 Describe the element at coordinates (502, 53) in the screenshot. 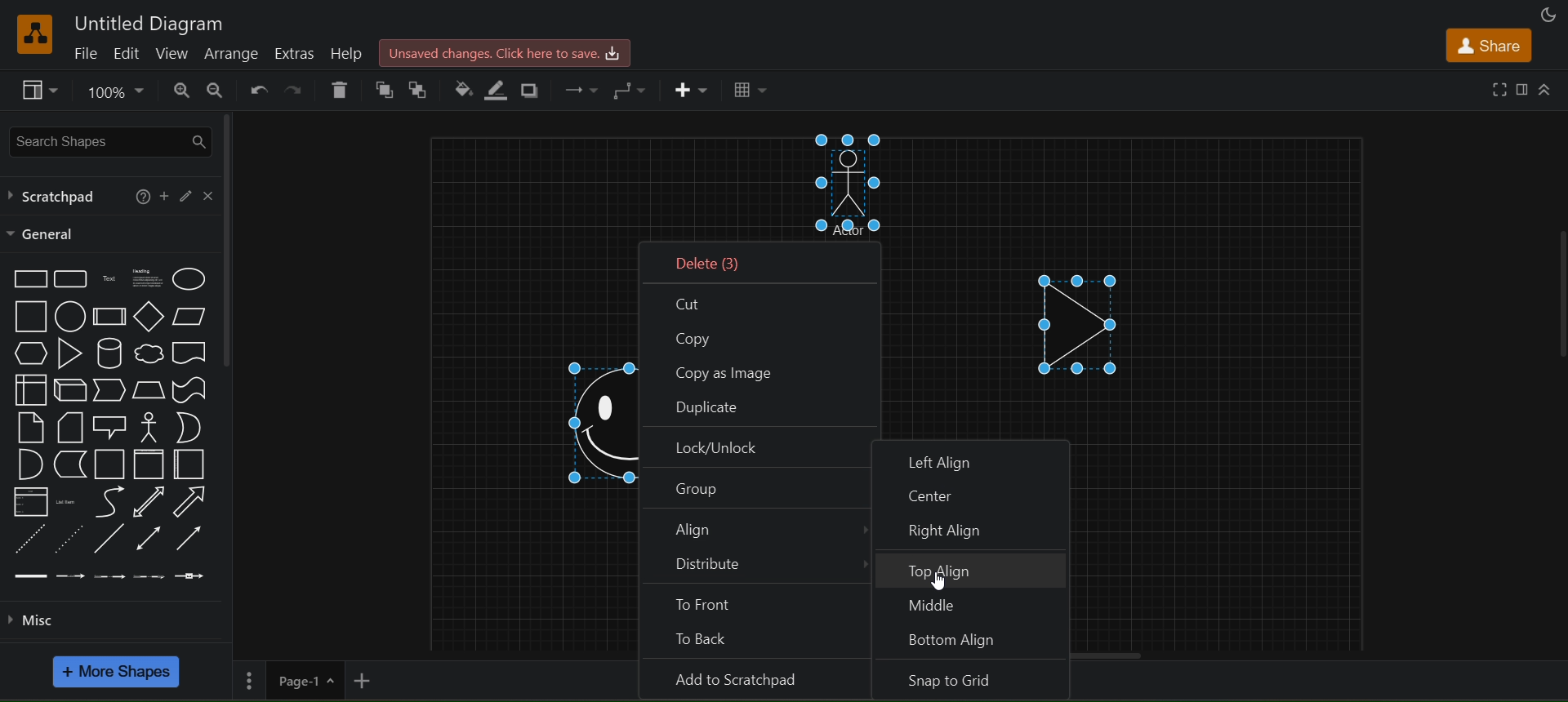

I see `click here to save` at that location.